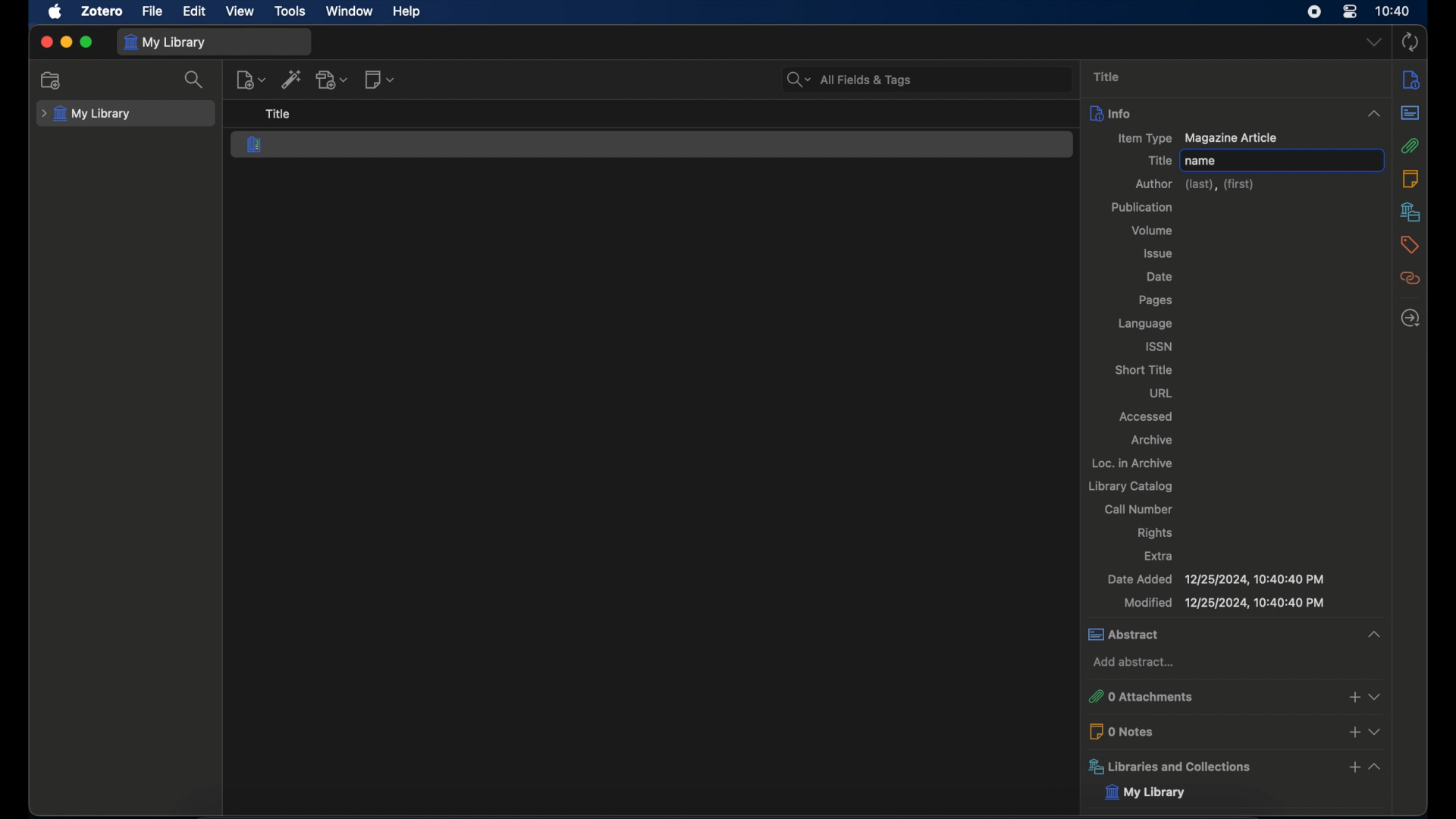 The height and width of the screenshot is (819, 1456). What do you see at coordinates (1411, 317) in the screenshot?
I see `locate` at bounding box center [1411, 317].